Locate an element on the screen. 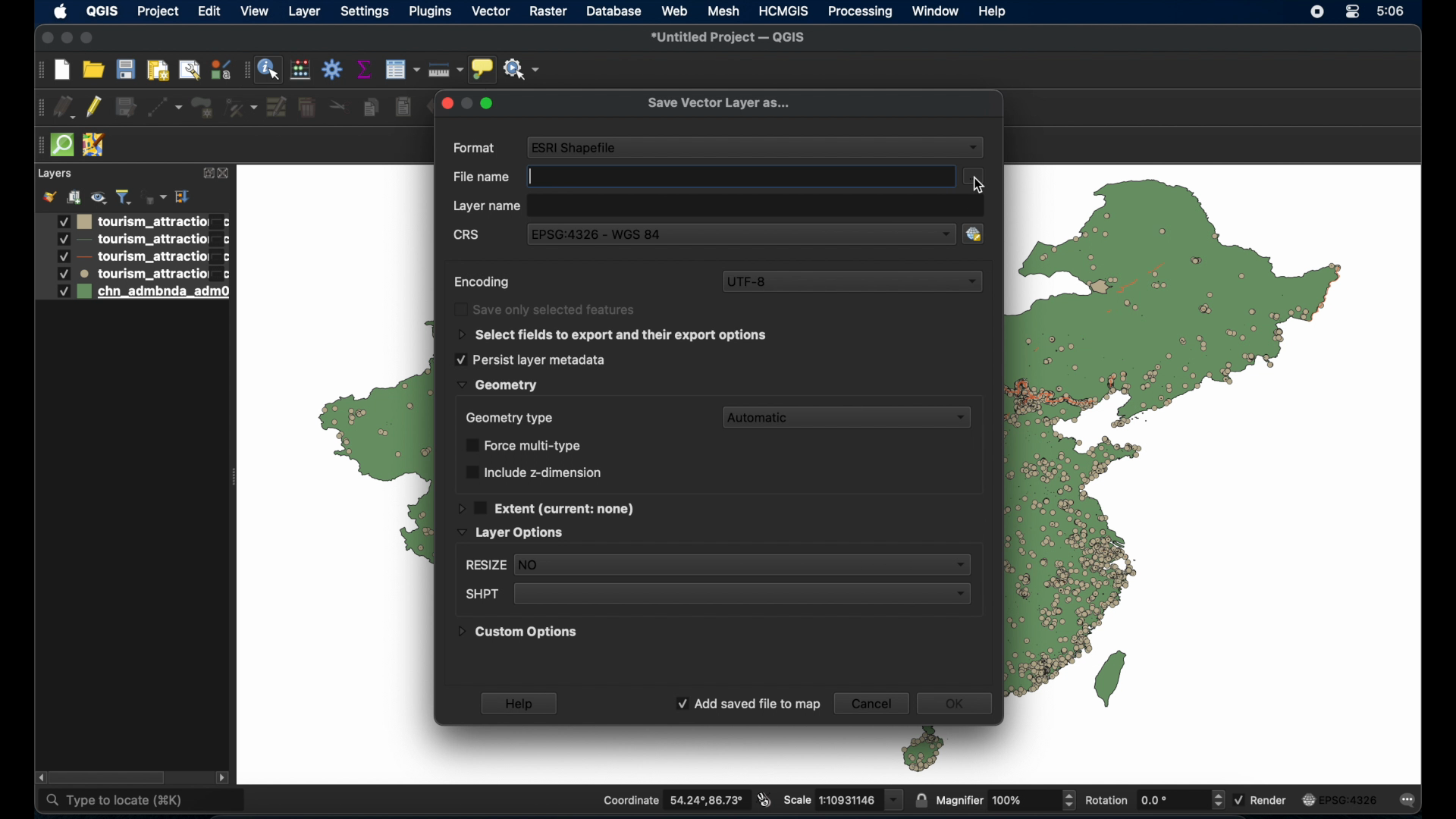  untitled project - QGIS is located at coordinates (729, 37).